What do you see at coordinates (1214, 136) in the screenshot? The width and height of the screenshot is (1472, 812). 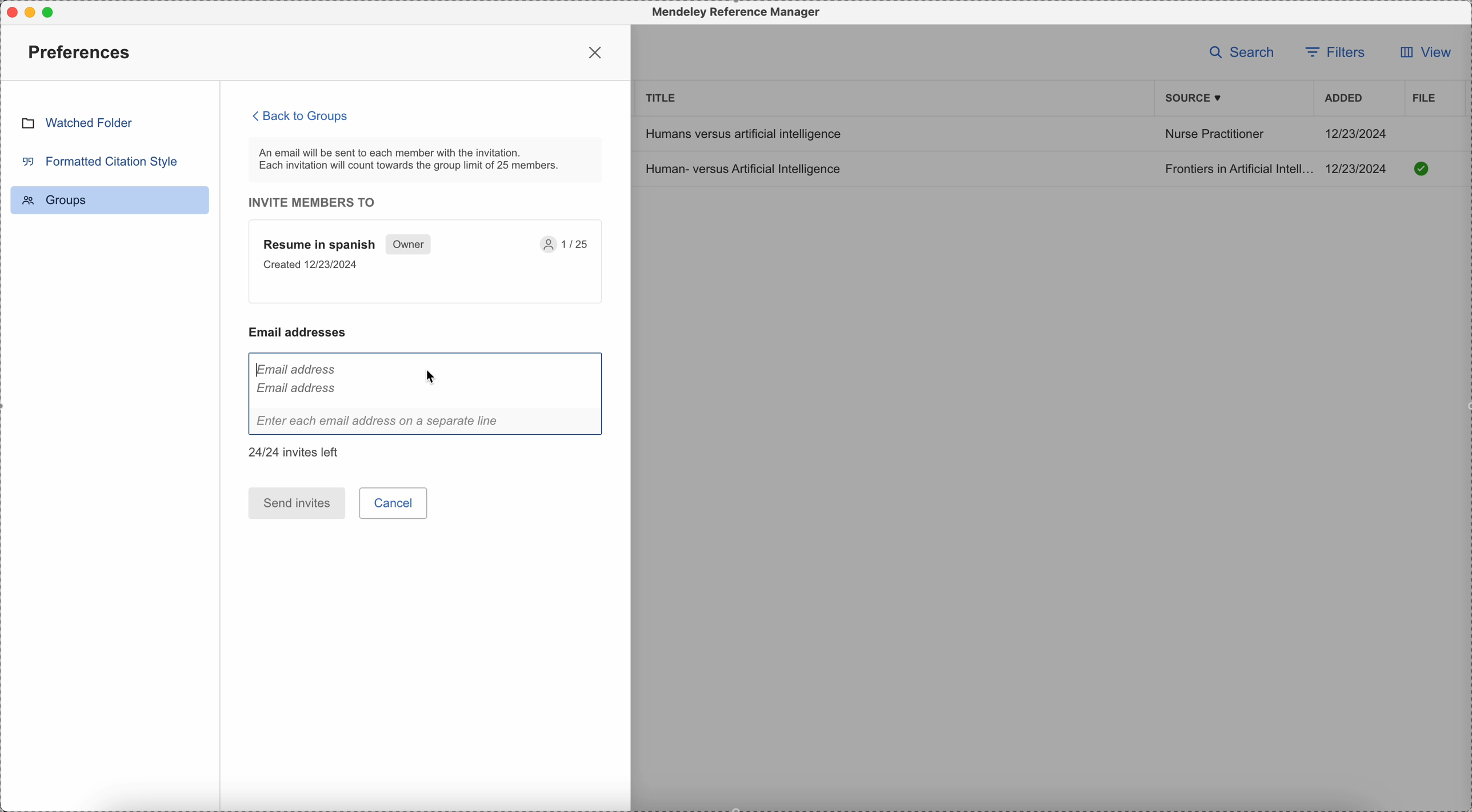 I see `Nurse Practitioner` at bounding box center [1214, 136].